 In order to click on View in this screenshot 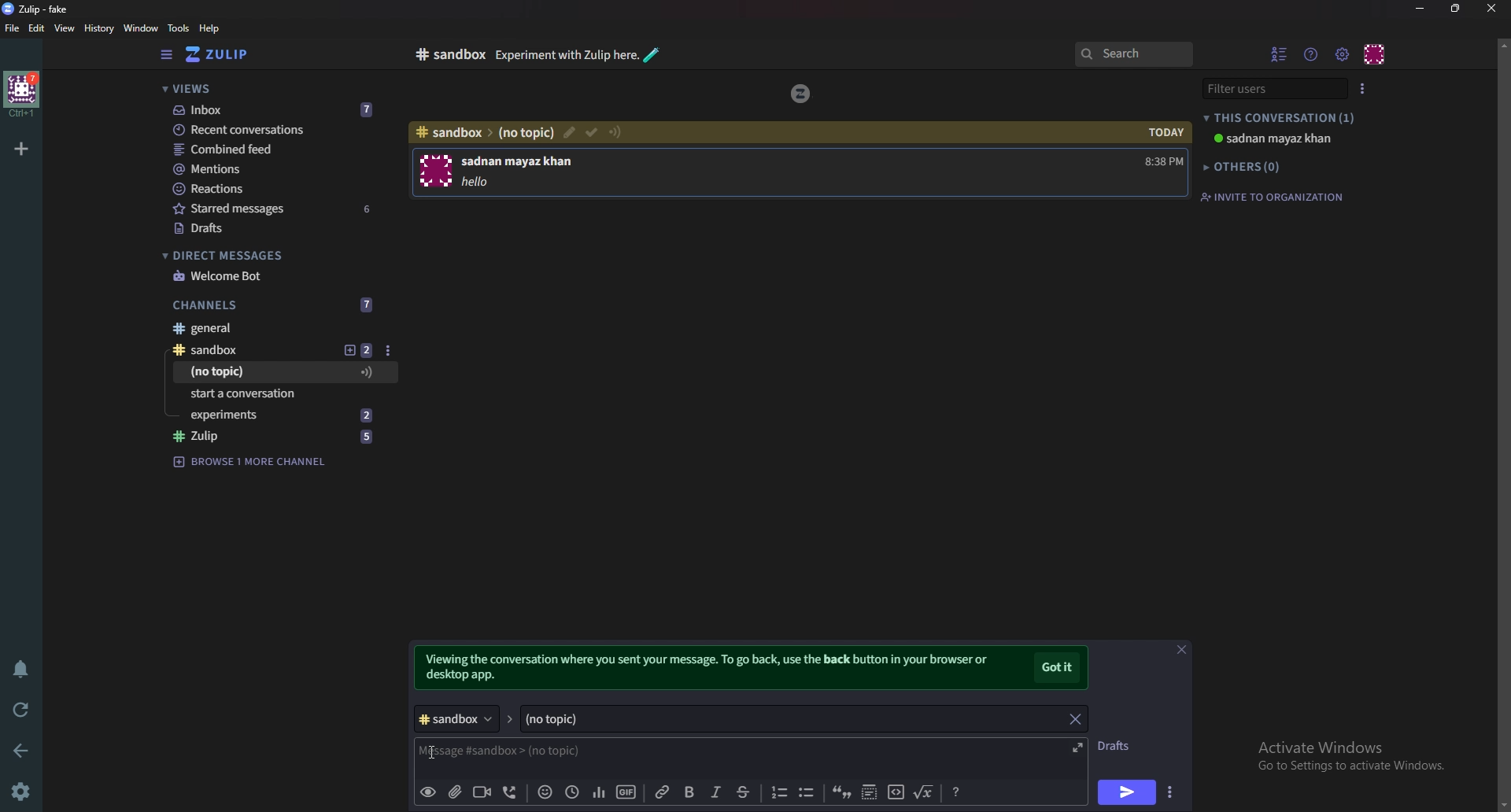, I will do `click(64, 29)`.